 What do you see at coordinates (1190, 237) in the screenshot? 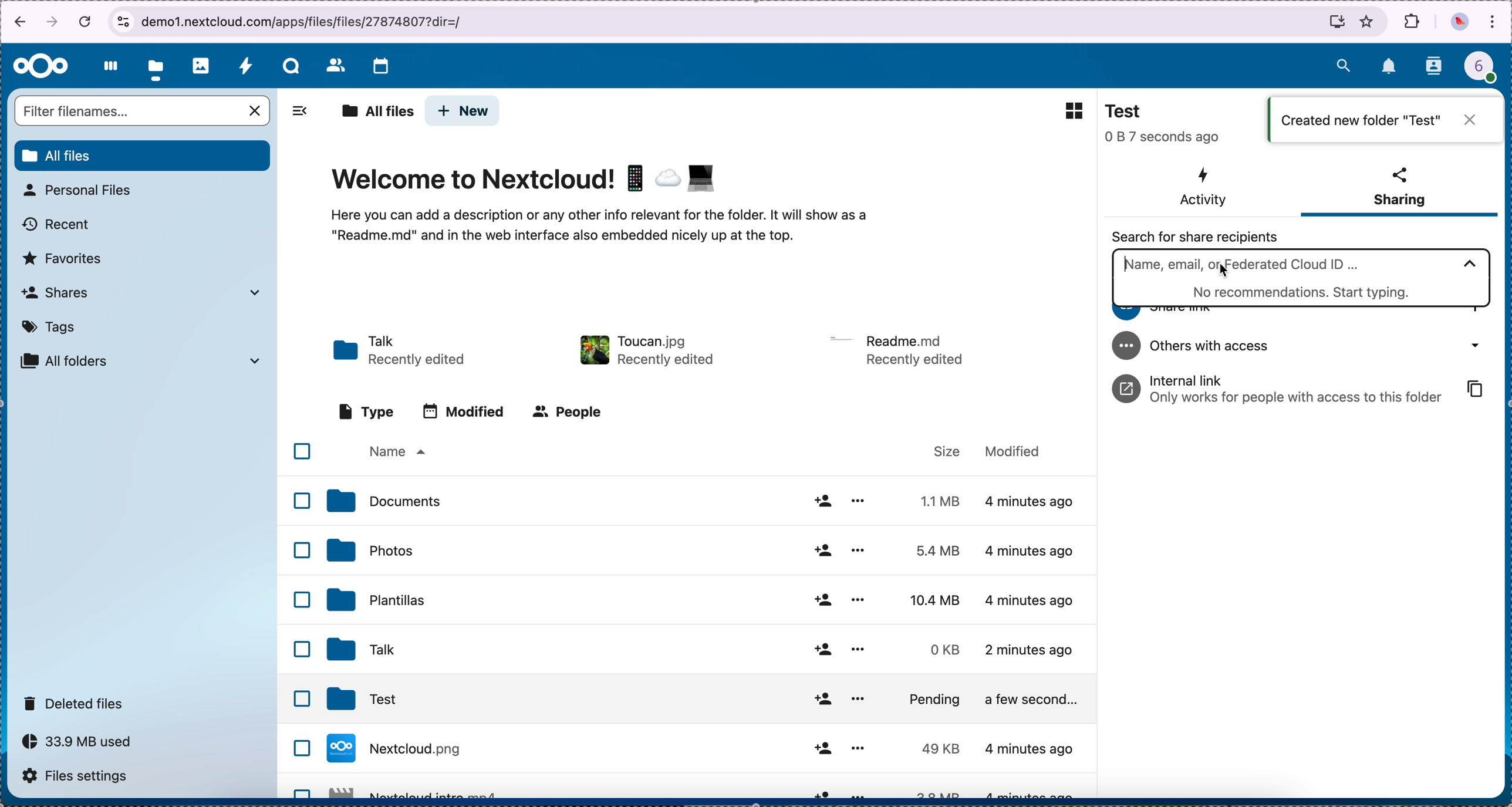
I see `search for share recipients` at bounding box center [1190, 237].